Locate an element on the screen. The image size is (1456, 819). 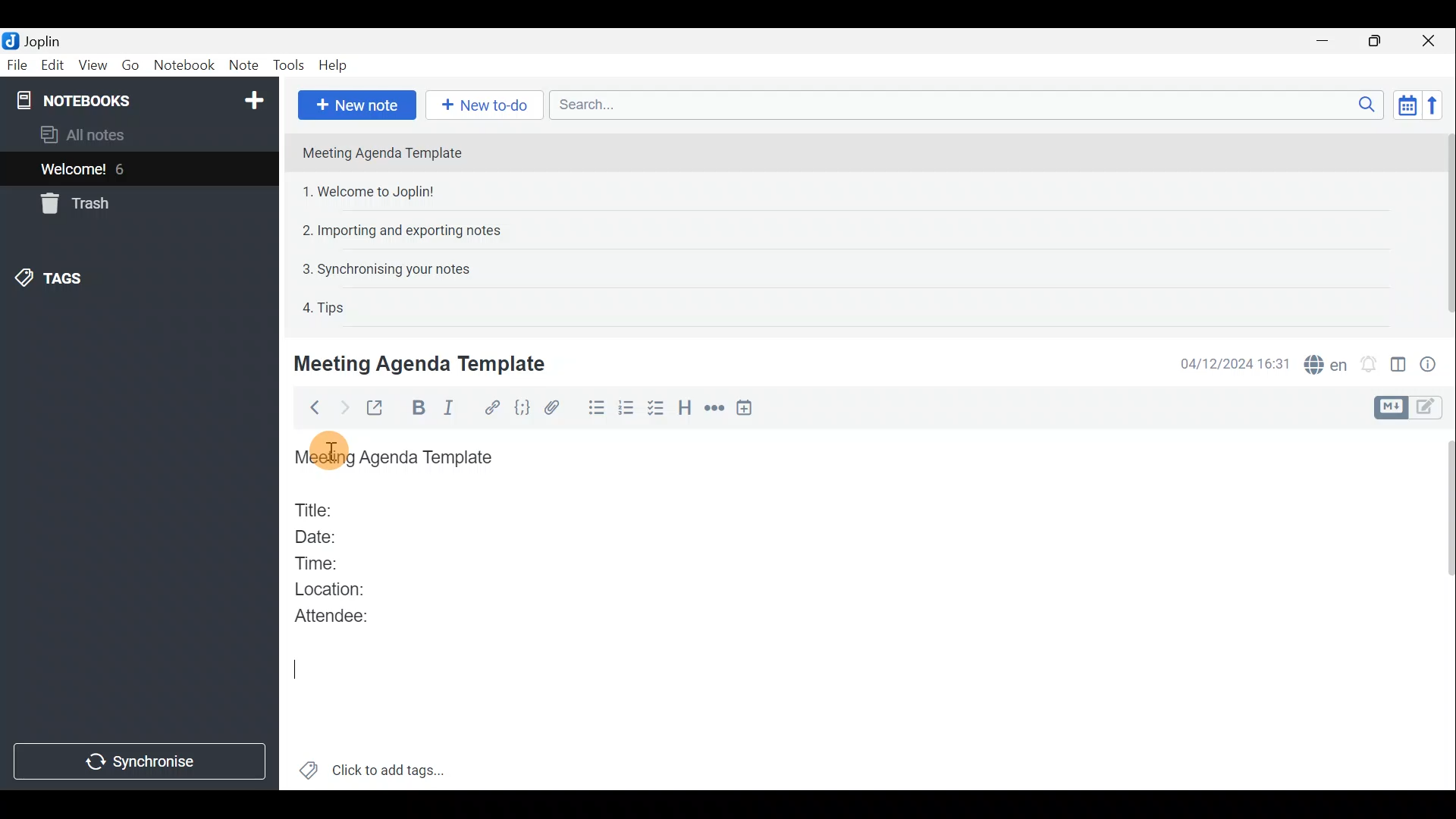
1. Welcome to Joplin! is located at coordinates (373, 191).